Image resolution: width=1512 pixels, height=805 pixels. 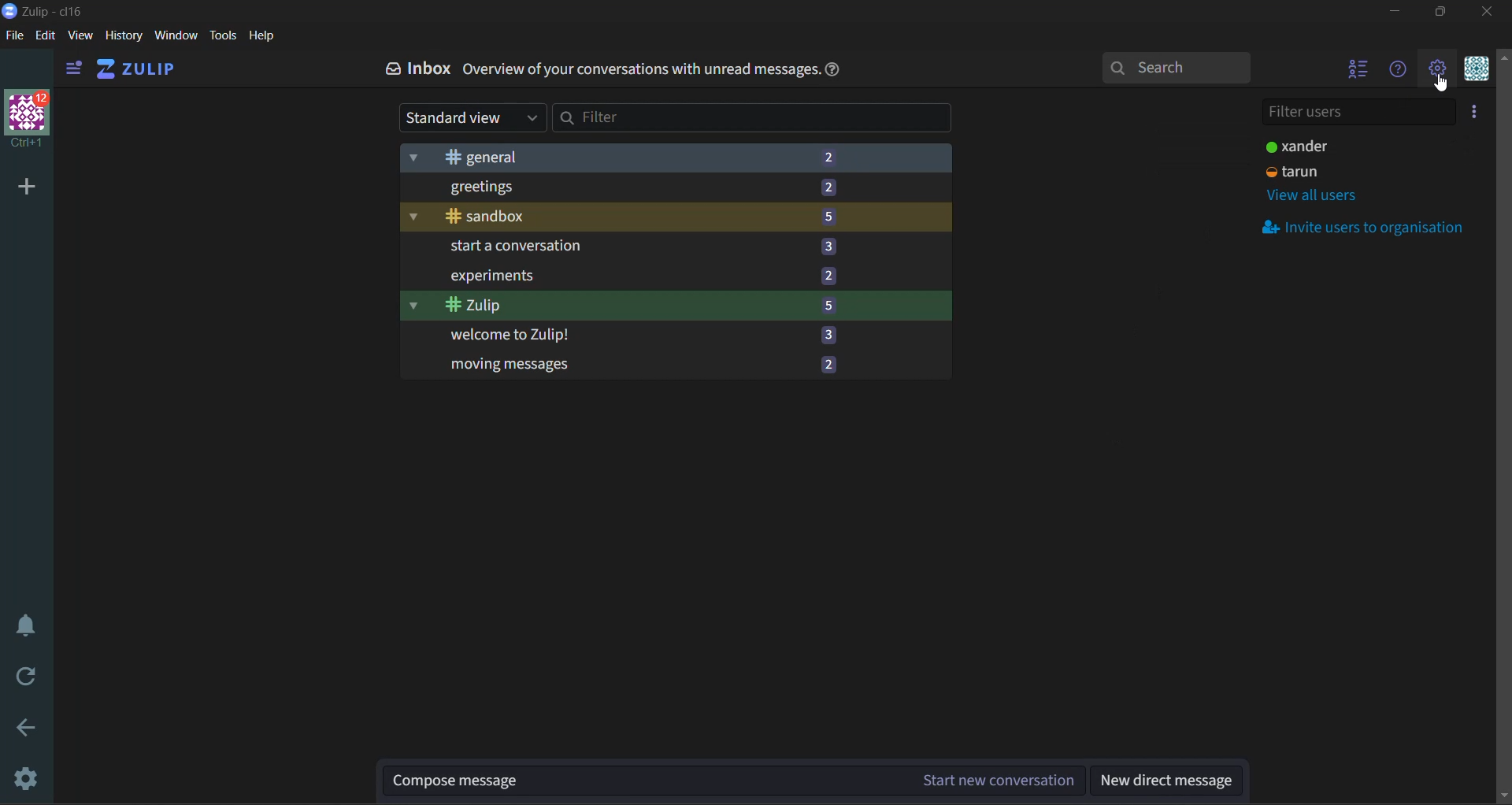 I want to click on edit, so click(x=45, y=36).